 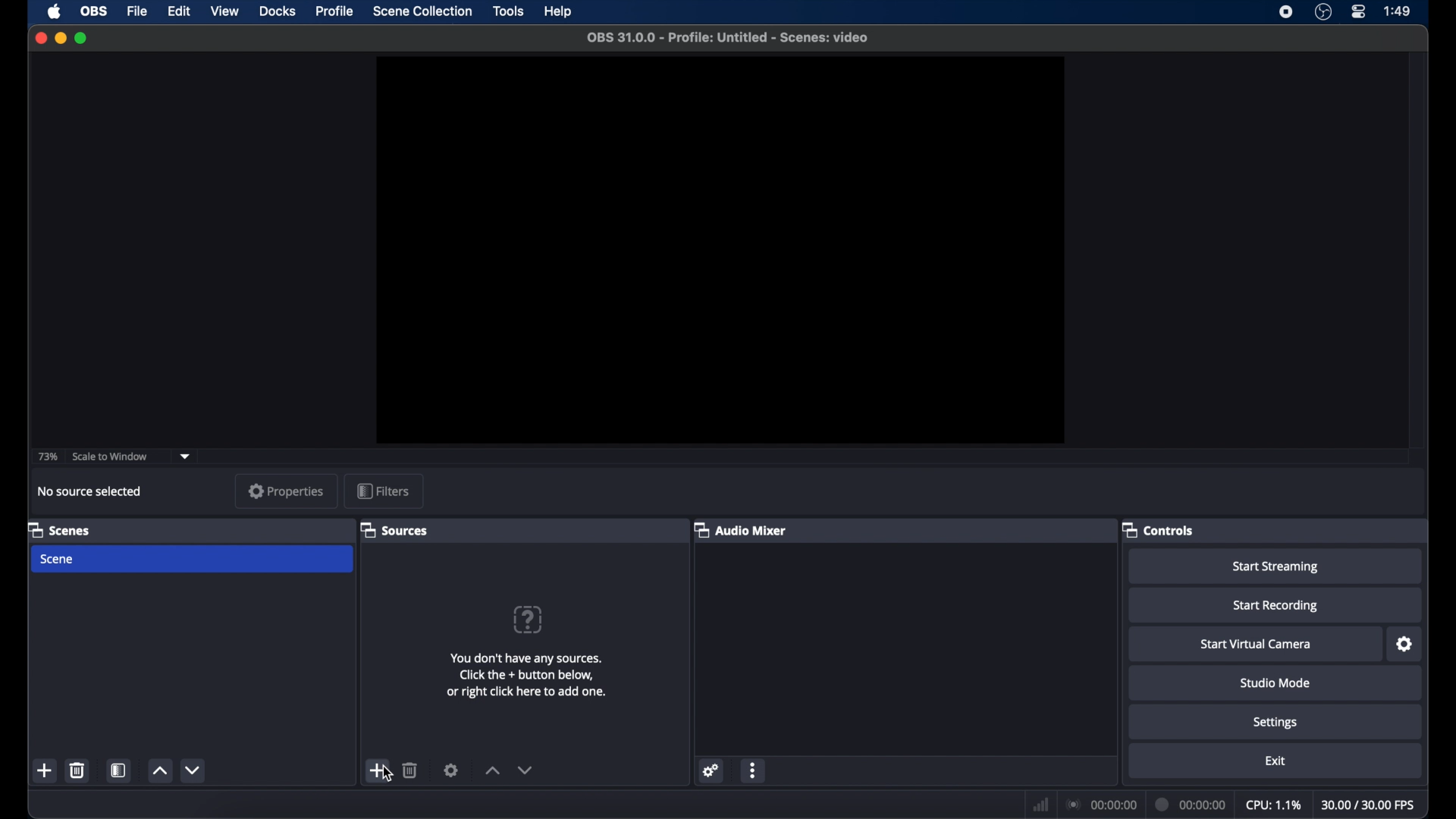 What do you see at coordinates (186, 457) in the screenshot?
I see `dropdown` at bounding box center [186, 457].